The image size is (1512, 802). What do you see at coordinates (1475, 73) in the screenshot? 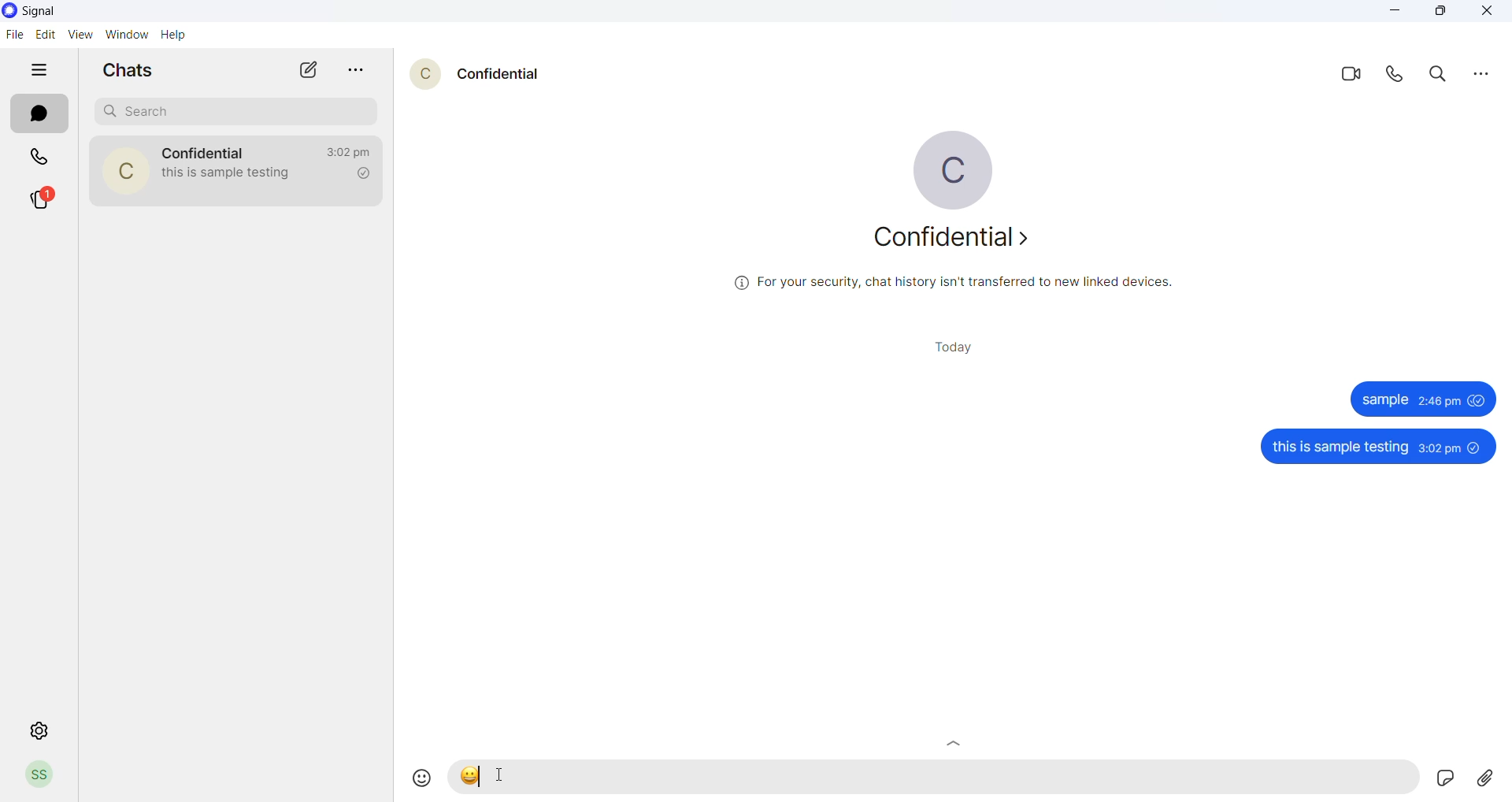
I see `more options` at bounding box center [1475, 73].